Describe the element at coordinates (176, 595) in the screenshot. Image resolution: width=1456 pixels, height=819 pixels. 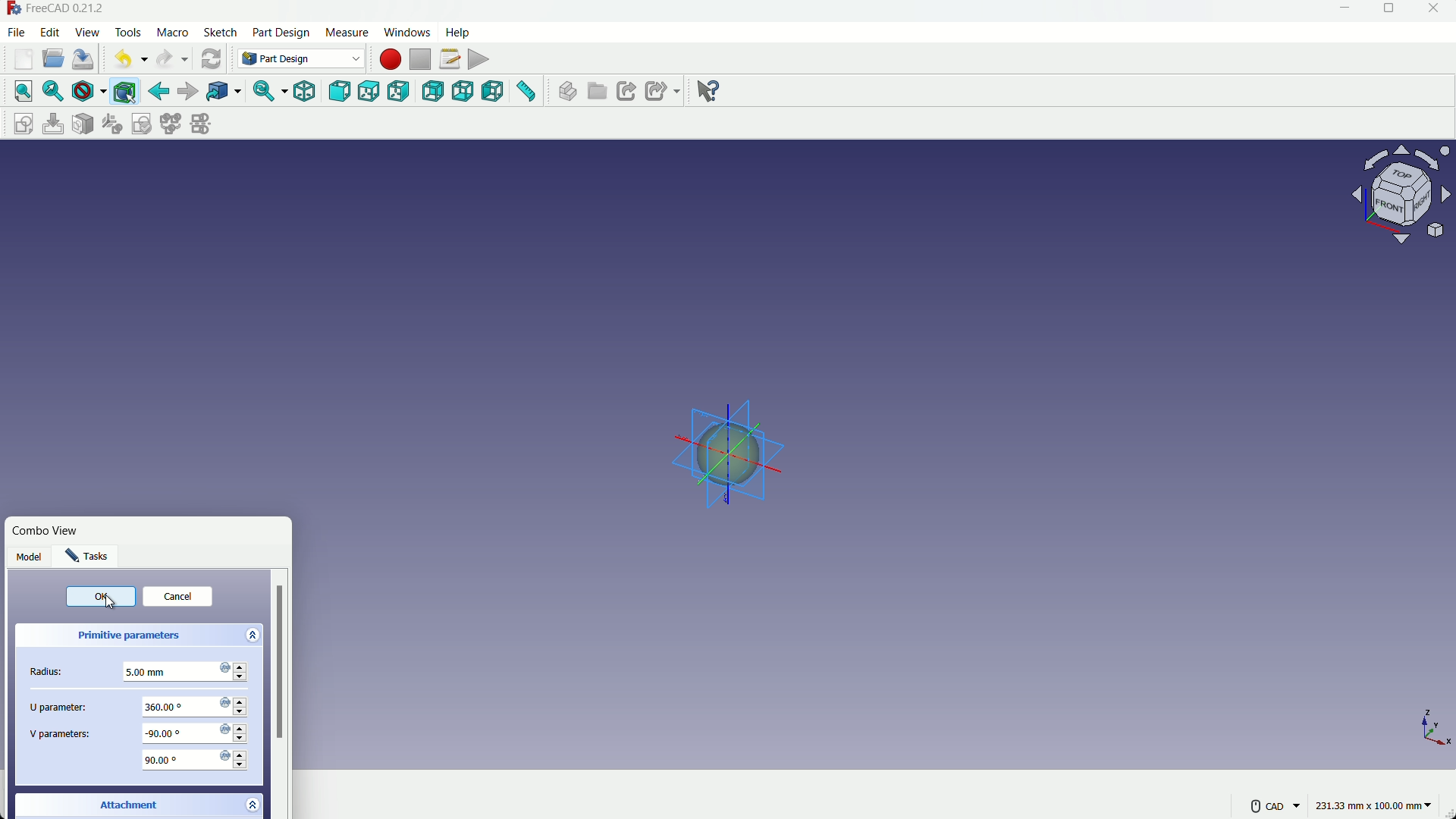
I see `cancel button` at that location.